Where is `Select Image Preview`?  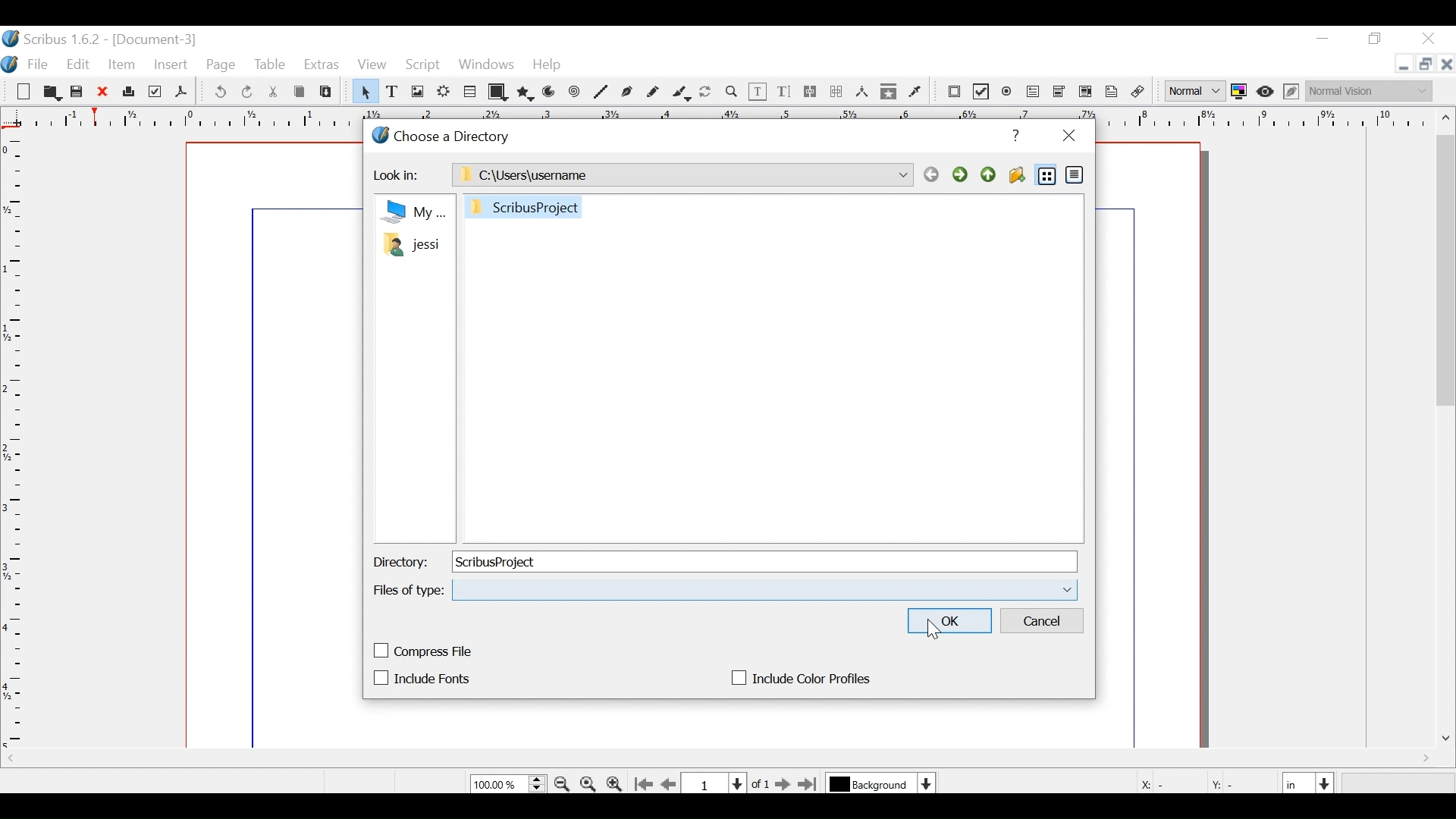 Select Image Preview is located at coordinates (1195, 91).